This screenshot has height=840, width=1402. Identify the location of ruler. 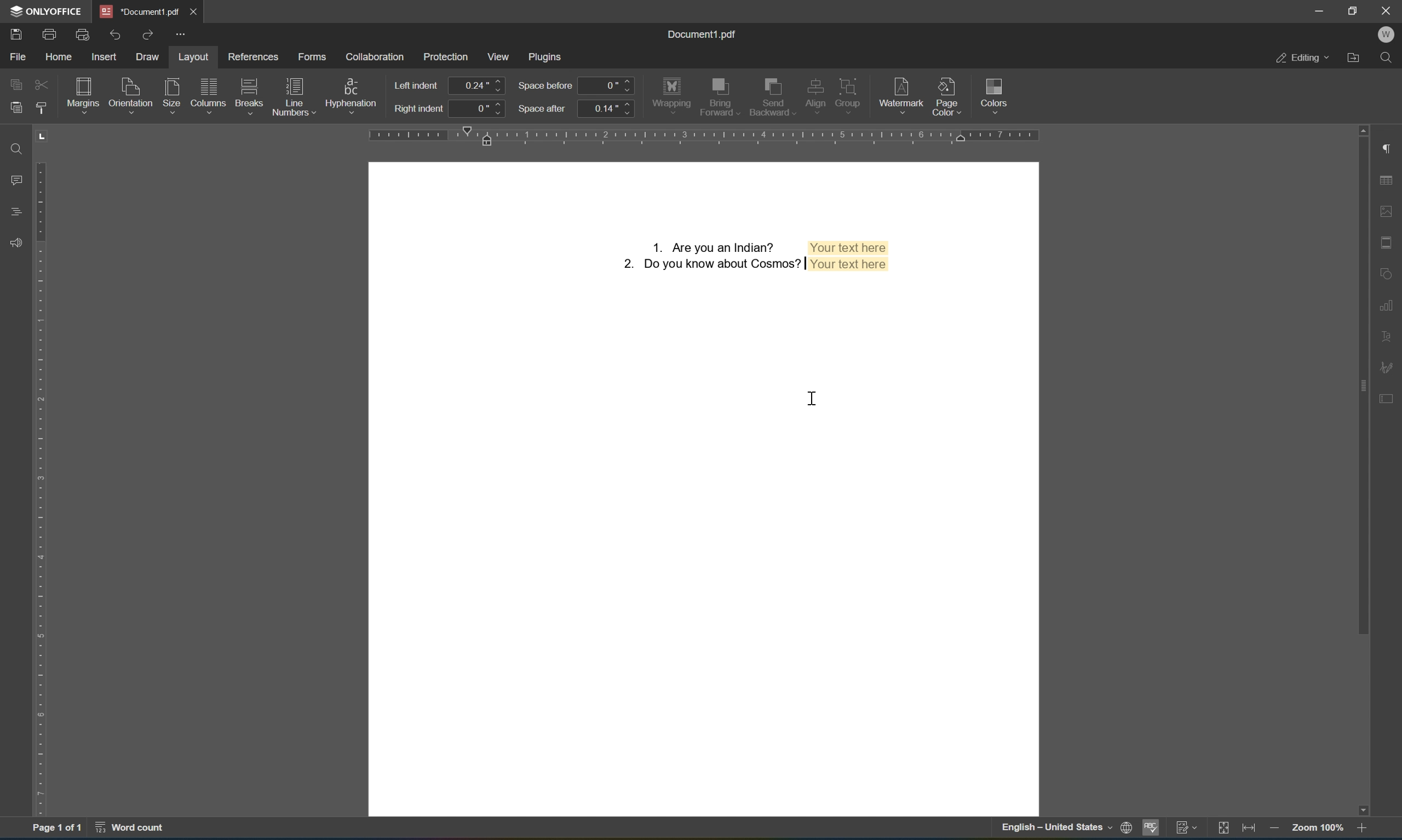
(43, 489).